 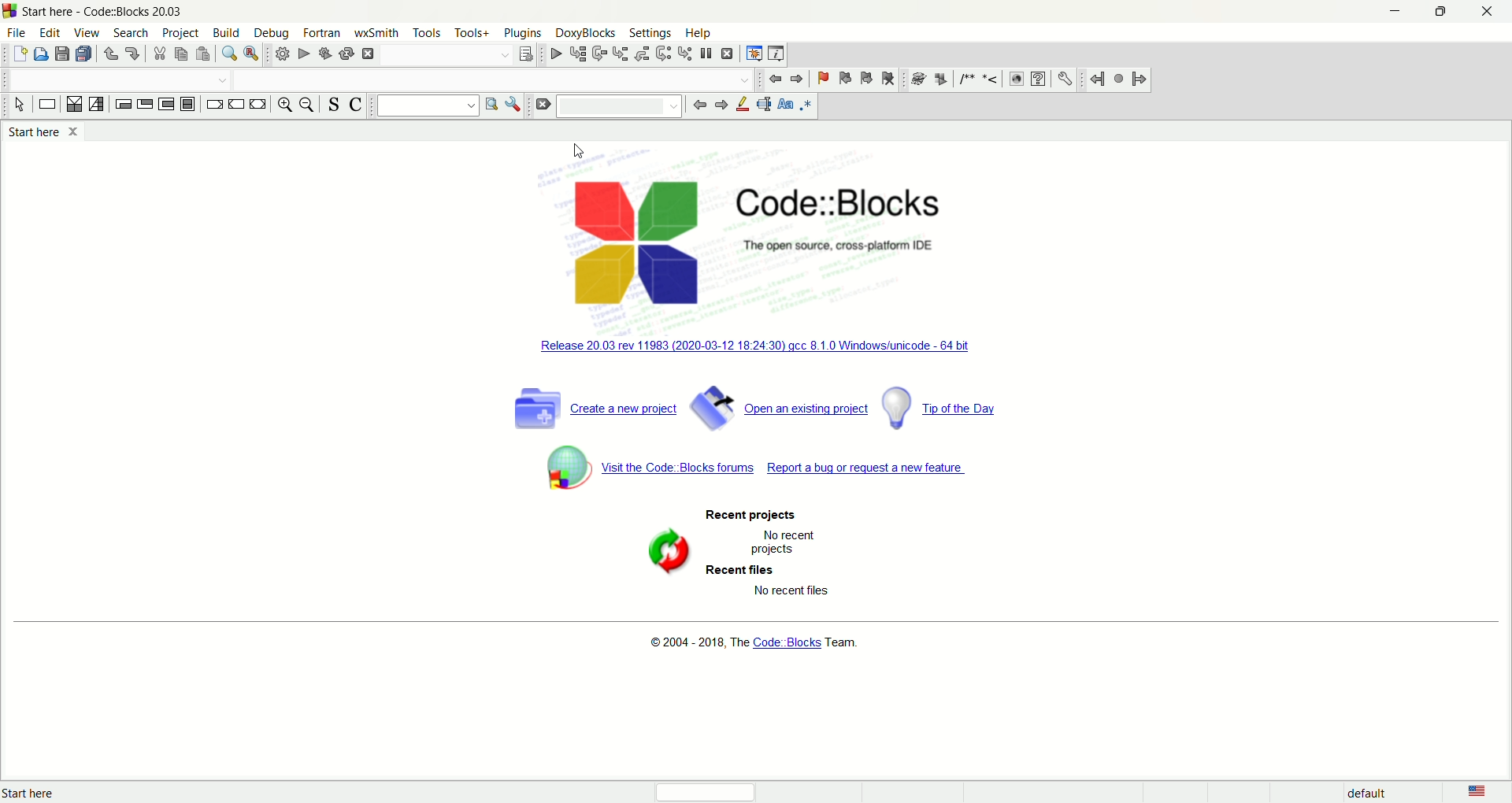 What do you see at coordinates (557, 467) in the screenshot?
I see `symbol` at bounding box center [557, 467].